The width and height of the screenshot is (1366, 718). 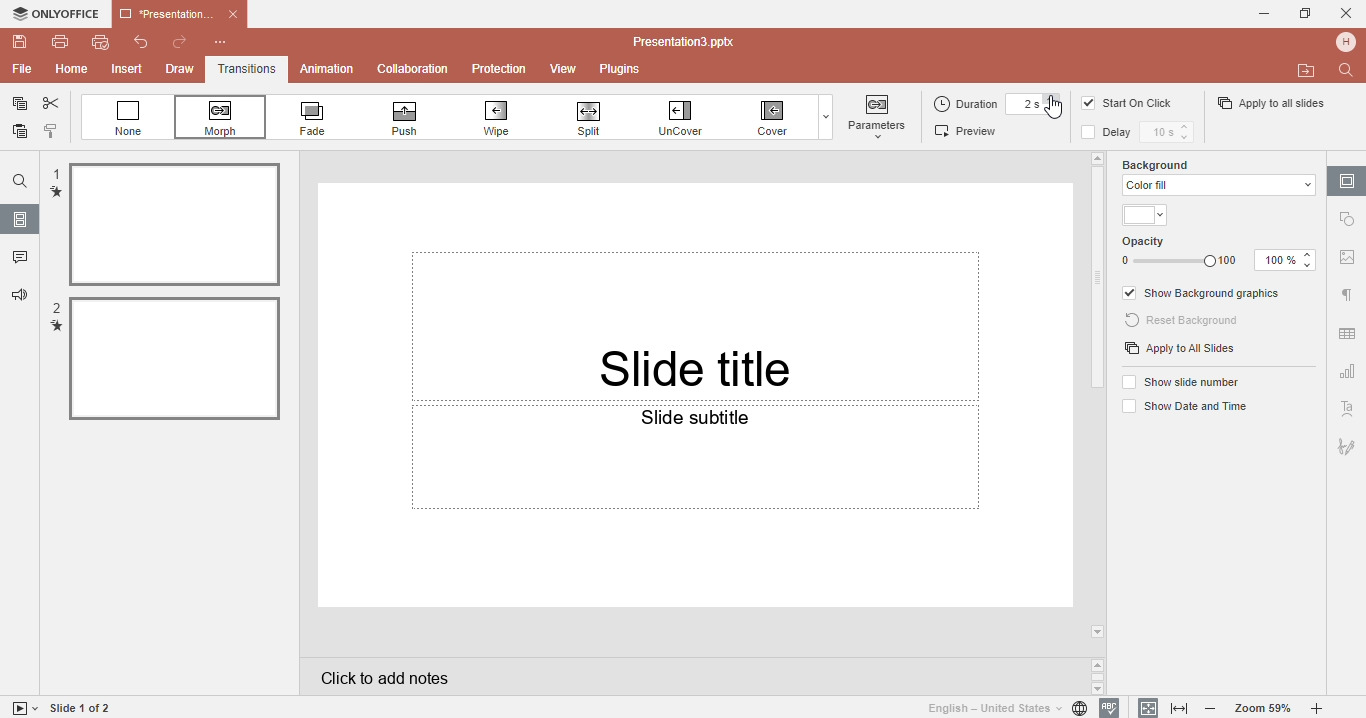 I want to click on Slides , so click(x=20, y=219).